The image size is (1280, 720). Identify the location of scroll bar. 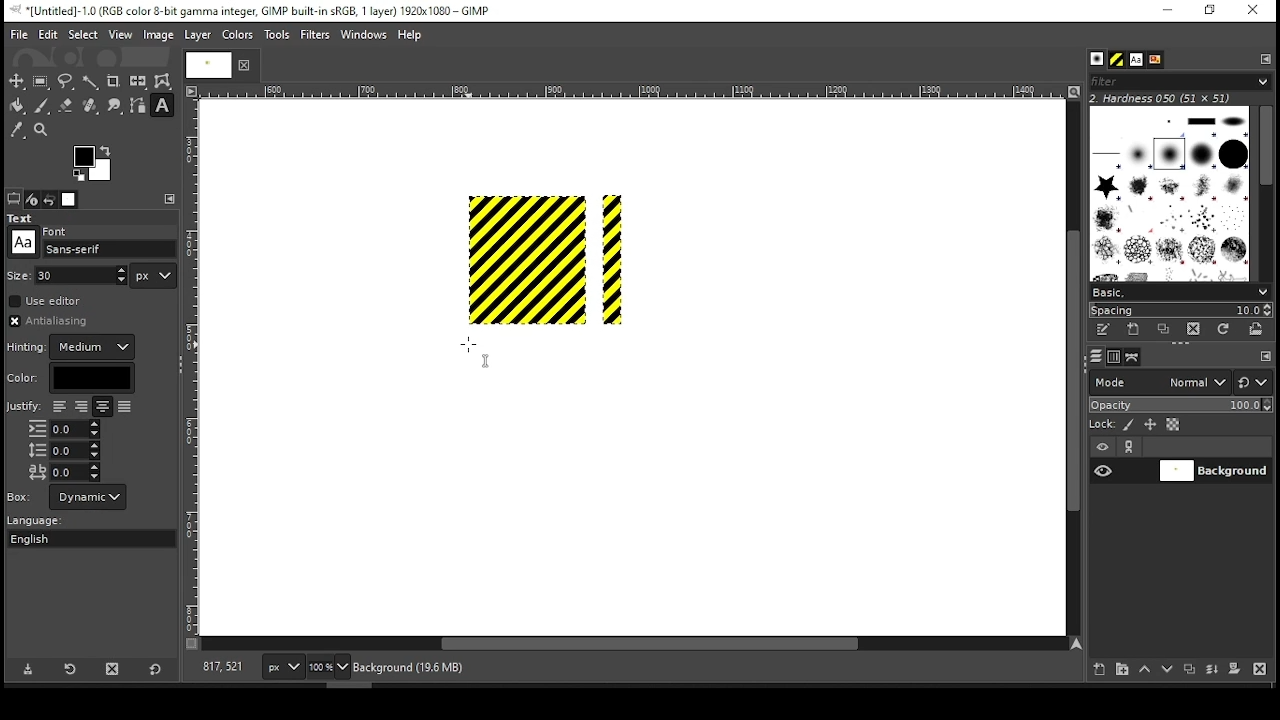
(634, 645).